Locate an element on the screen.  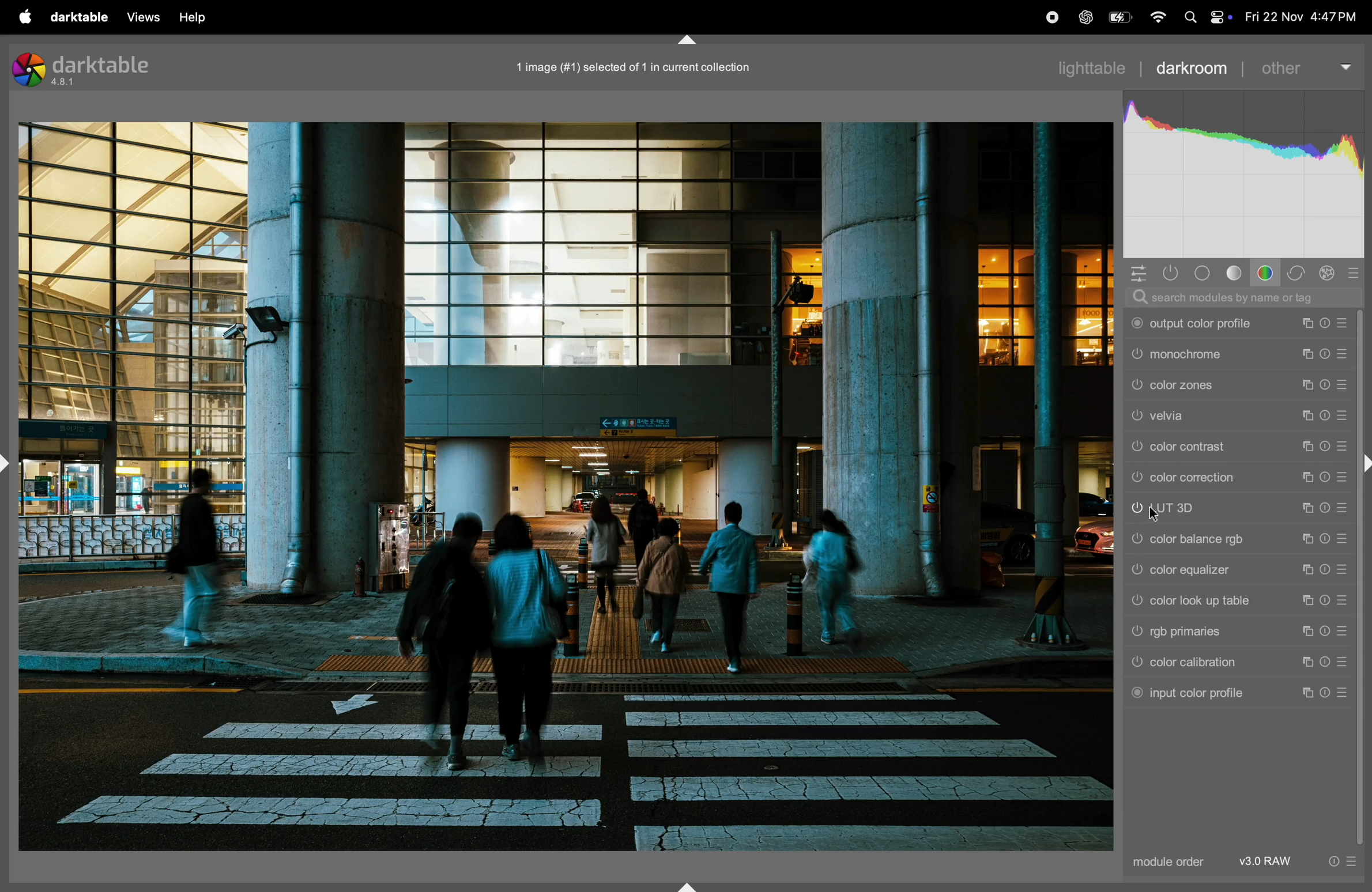
presets is located at coordinates (1347, 476).